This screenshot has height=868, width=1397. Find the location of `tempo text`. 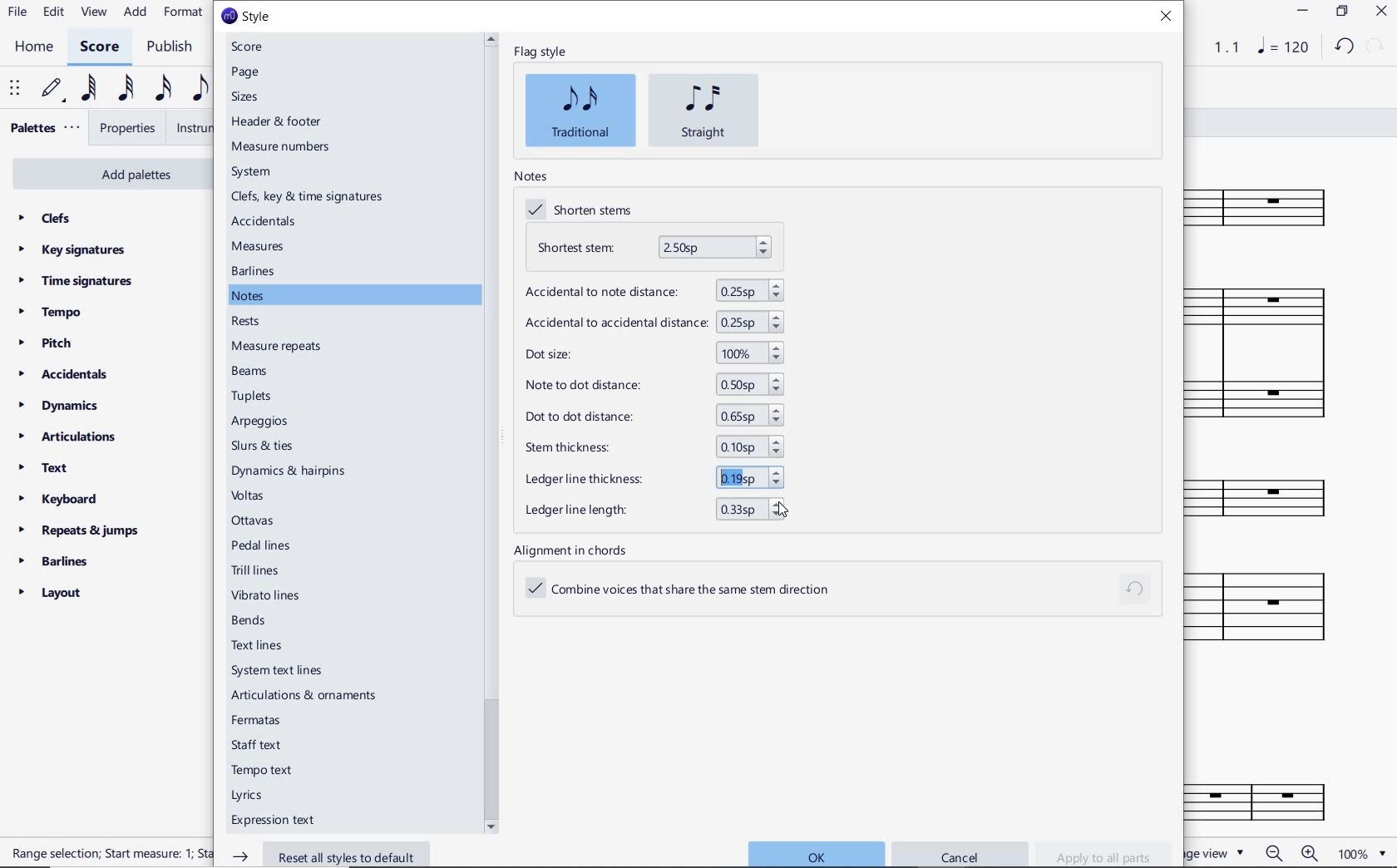

tempo text is located at coordinates (270, 770).